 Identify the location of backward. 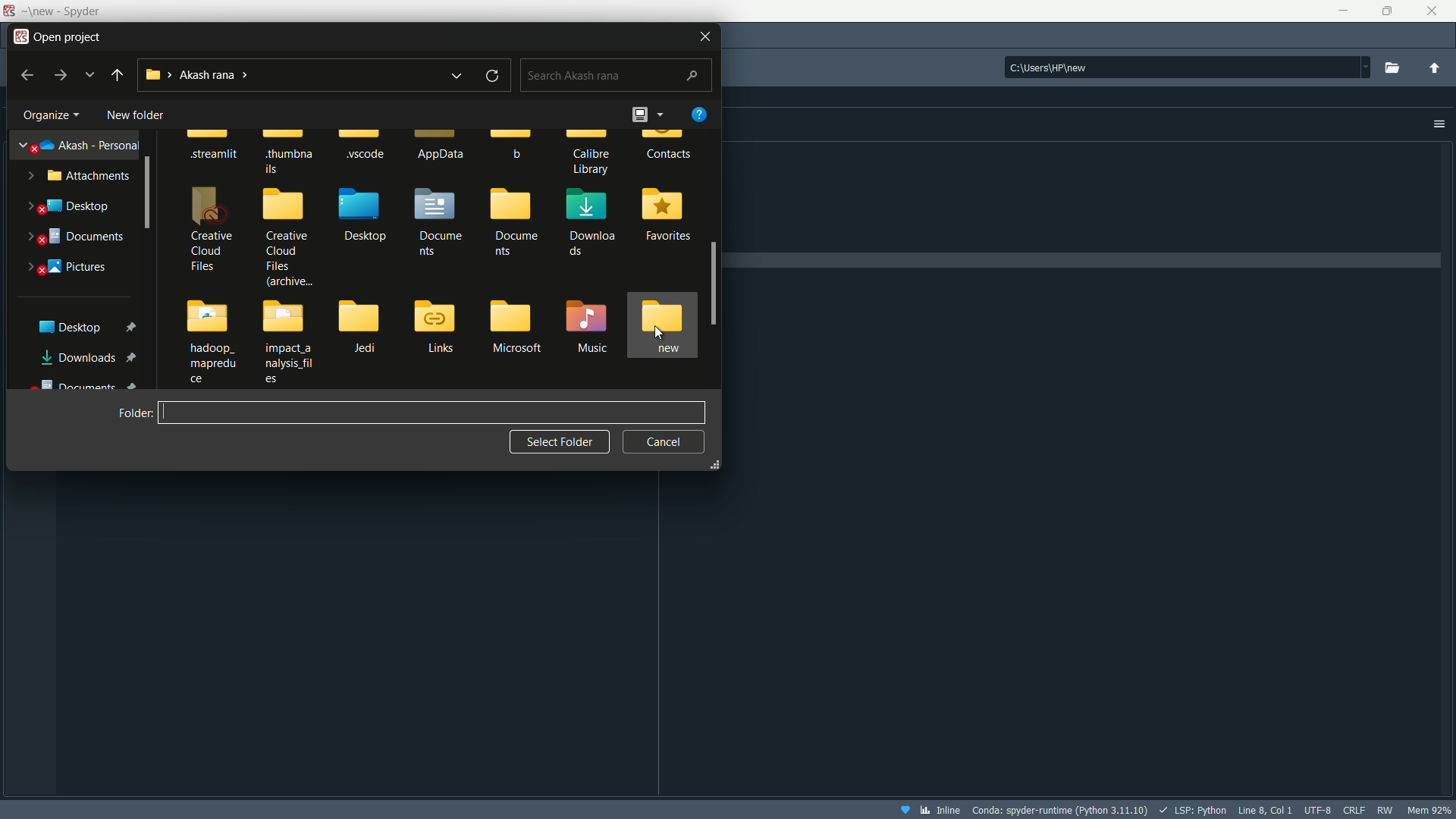
(25, 74).